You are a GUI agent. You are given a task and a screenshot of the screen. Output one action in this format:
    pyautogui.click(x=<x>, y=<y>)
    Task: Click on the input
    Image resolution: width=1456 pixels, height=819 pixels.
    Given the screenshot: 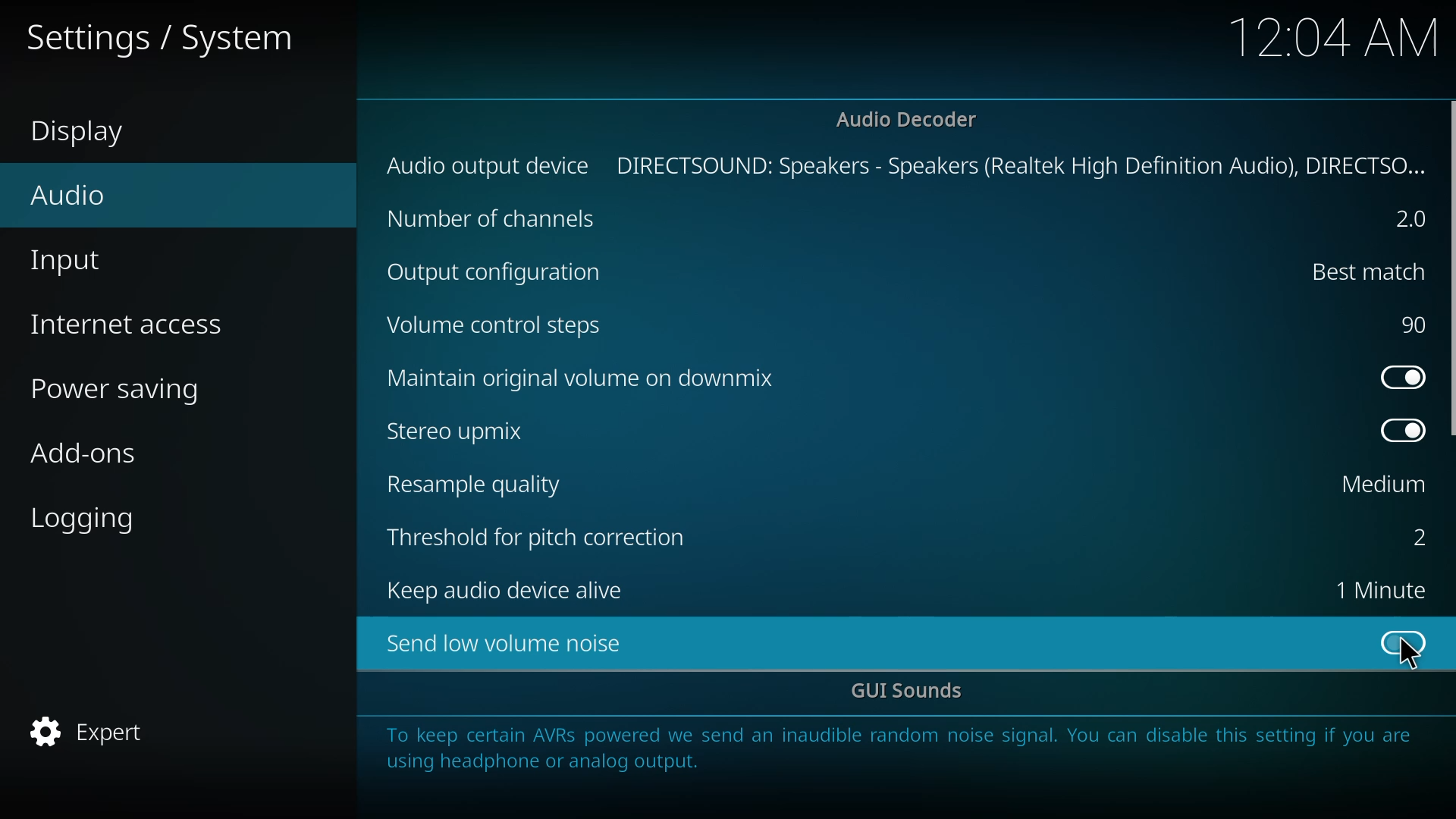 What is the action you would take?
    pyautogui.click(x=83, y=262)
    